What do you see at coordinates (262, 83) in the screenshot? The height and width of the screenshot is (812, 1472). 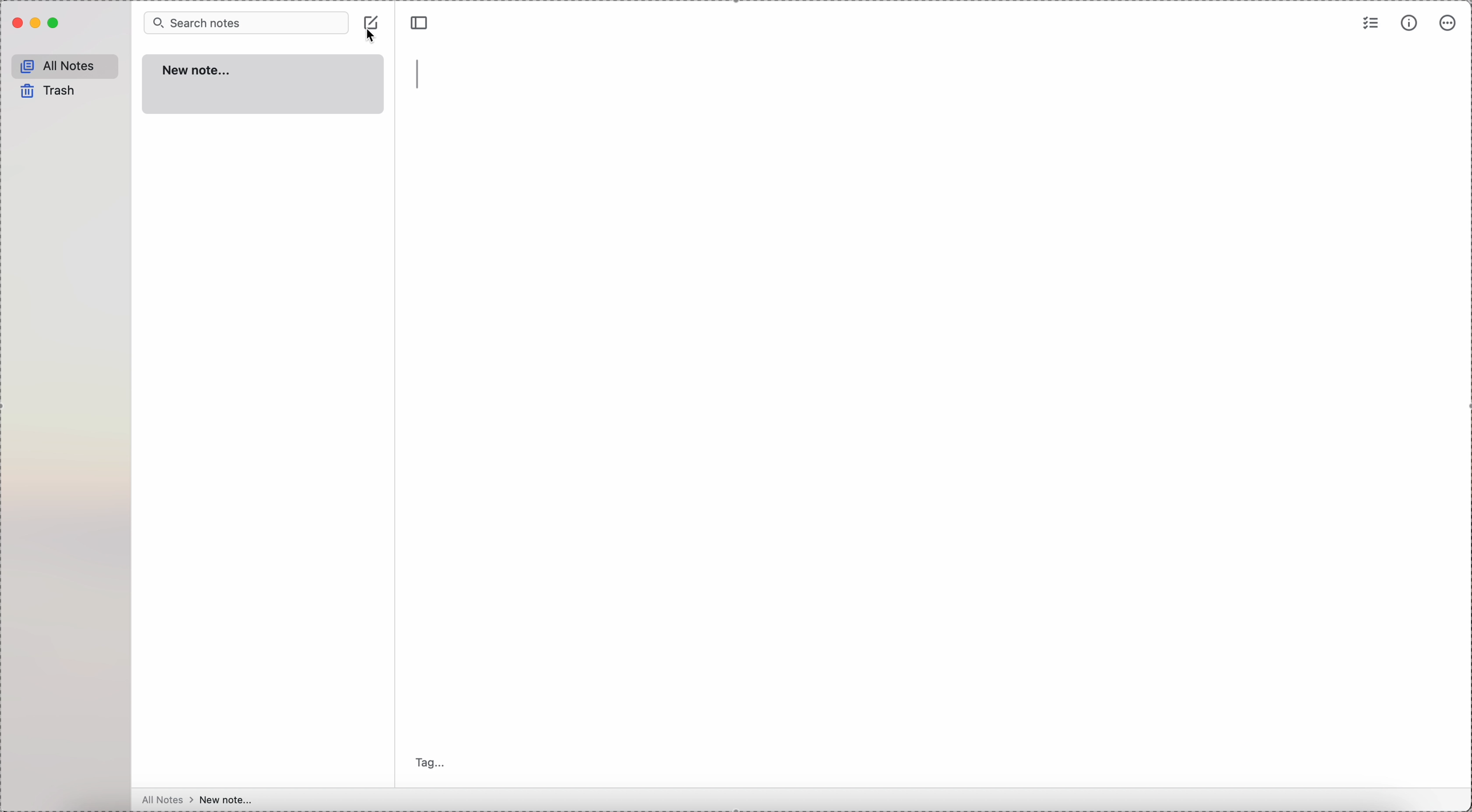 I see `new note` at bounding box center [262, 83].